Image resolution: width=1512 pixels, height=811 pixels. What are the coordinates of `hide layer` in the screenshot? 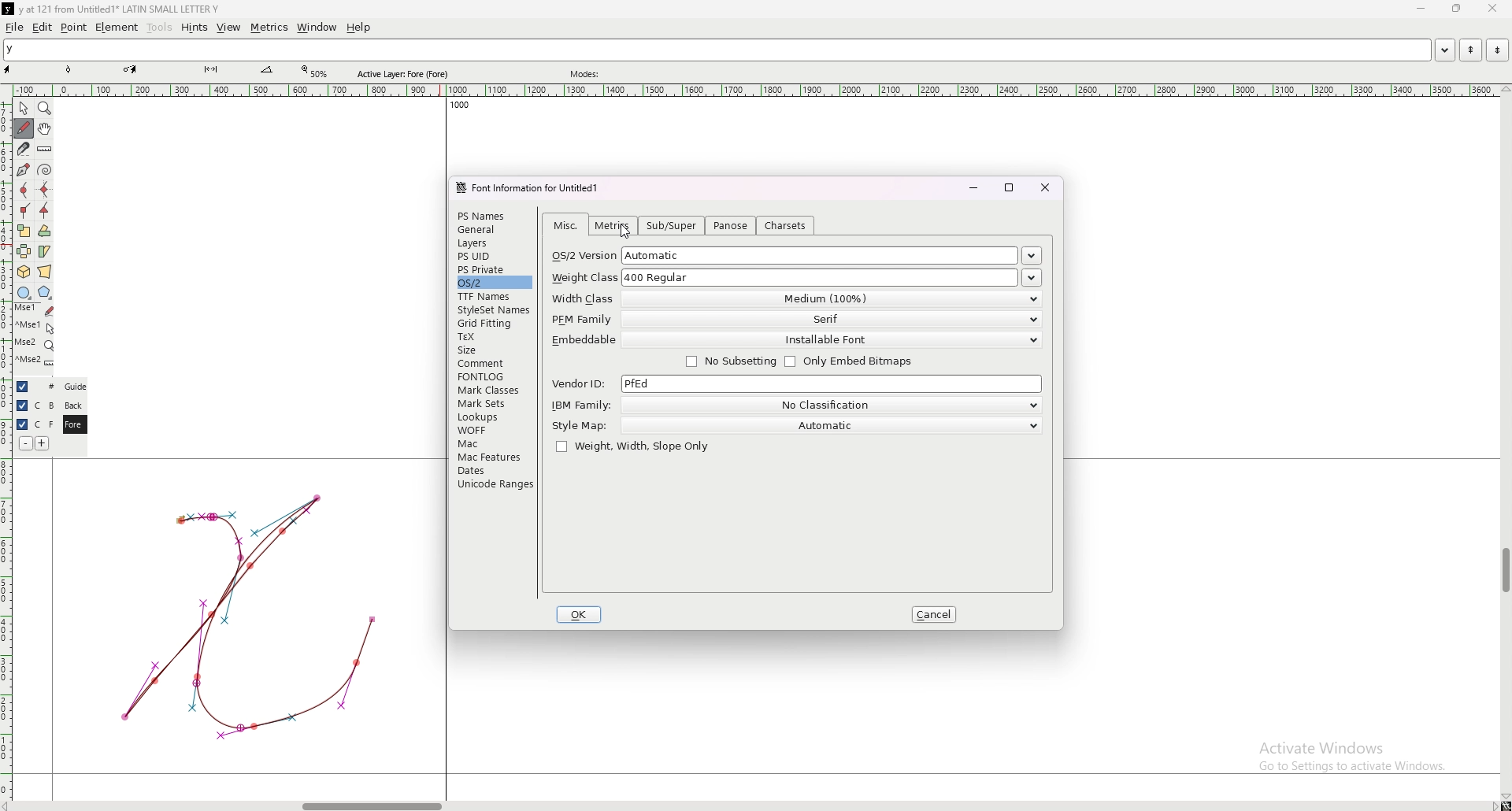 It's located at (22, 424).